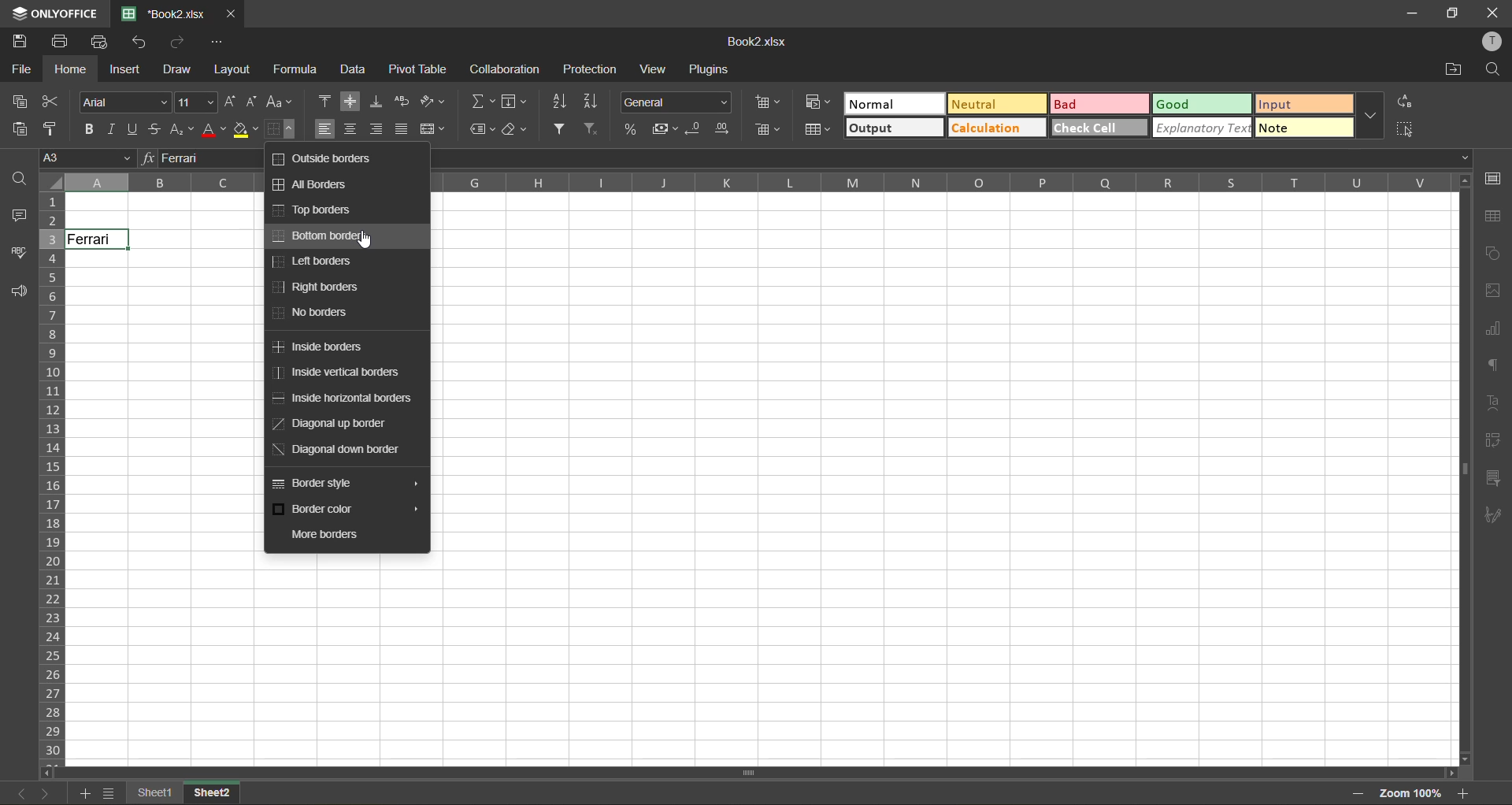 The height and width of the screenshot is (805, 1512). Describe the element at coordinates (139, 43) in the screenshot. I see `undo` at that location.